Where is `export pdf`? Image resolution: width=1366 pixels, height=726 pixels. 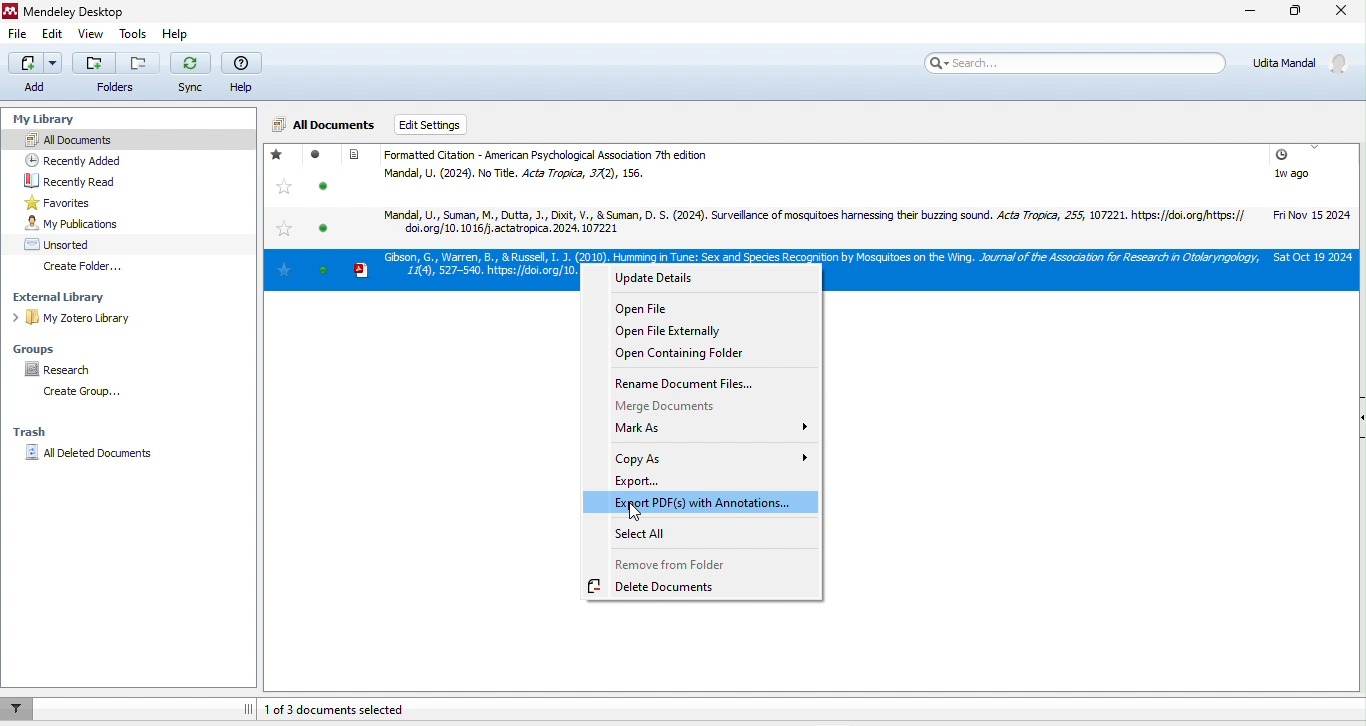 export pdf is located at coordinates (701, 502).